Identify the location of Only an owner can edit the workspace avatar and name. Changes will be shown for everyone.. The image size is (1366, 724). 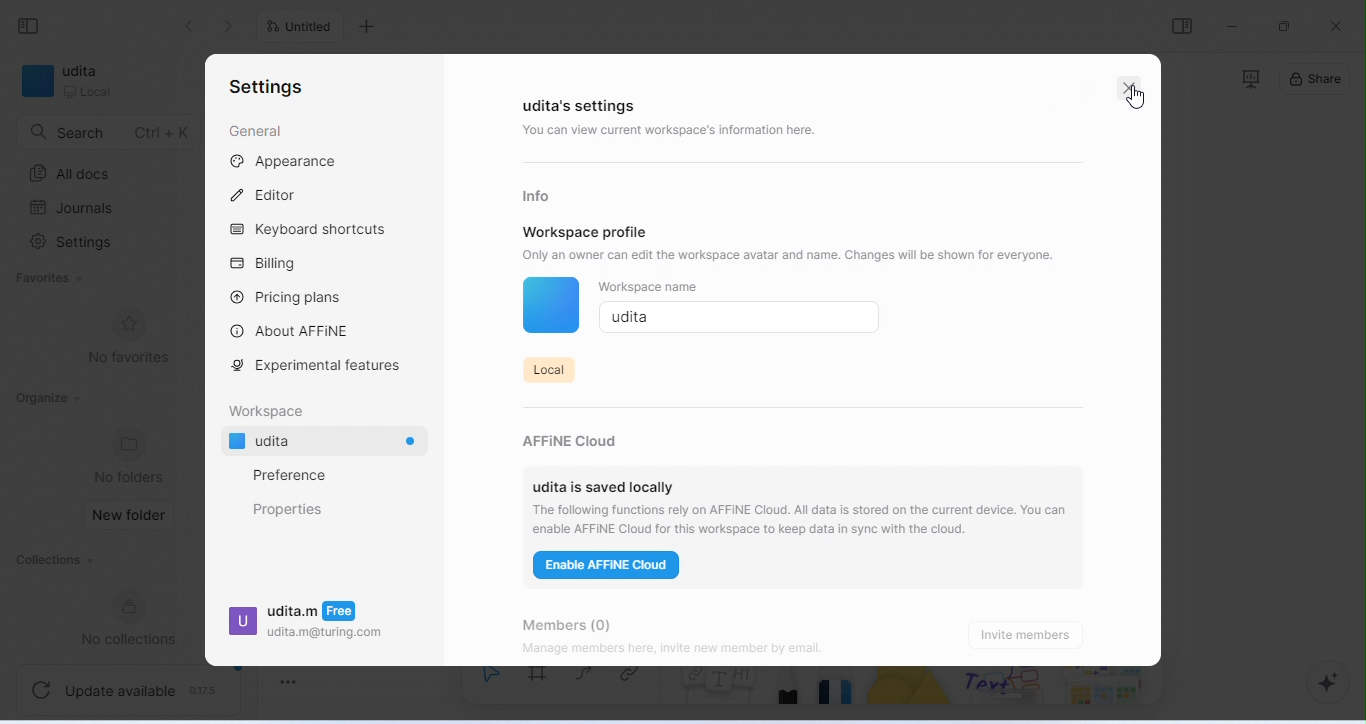
(800, 254).